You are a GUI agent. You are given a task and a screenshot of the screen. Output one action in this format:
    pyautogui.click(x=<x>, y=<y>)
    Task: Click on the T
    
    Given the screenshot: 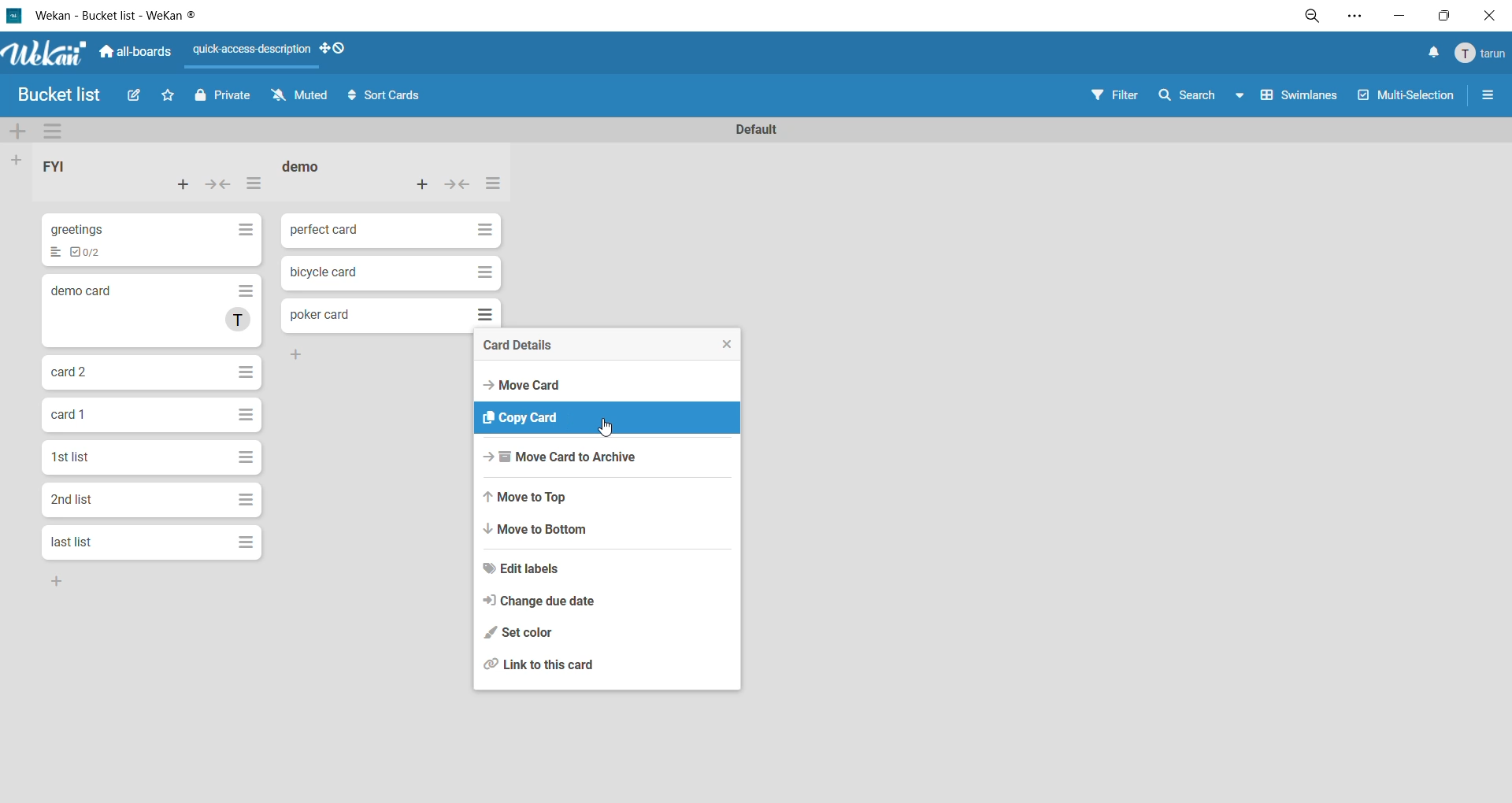 What is the action you would take?
    pyautogui.click(x=238, y=323)
    